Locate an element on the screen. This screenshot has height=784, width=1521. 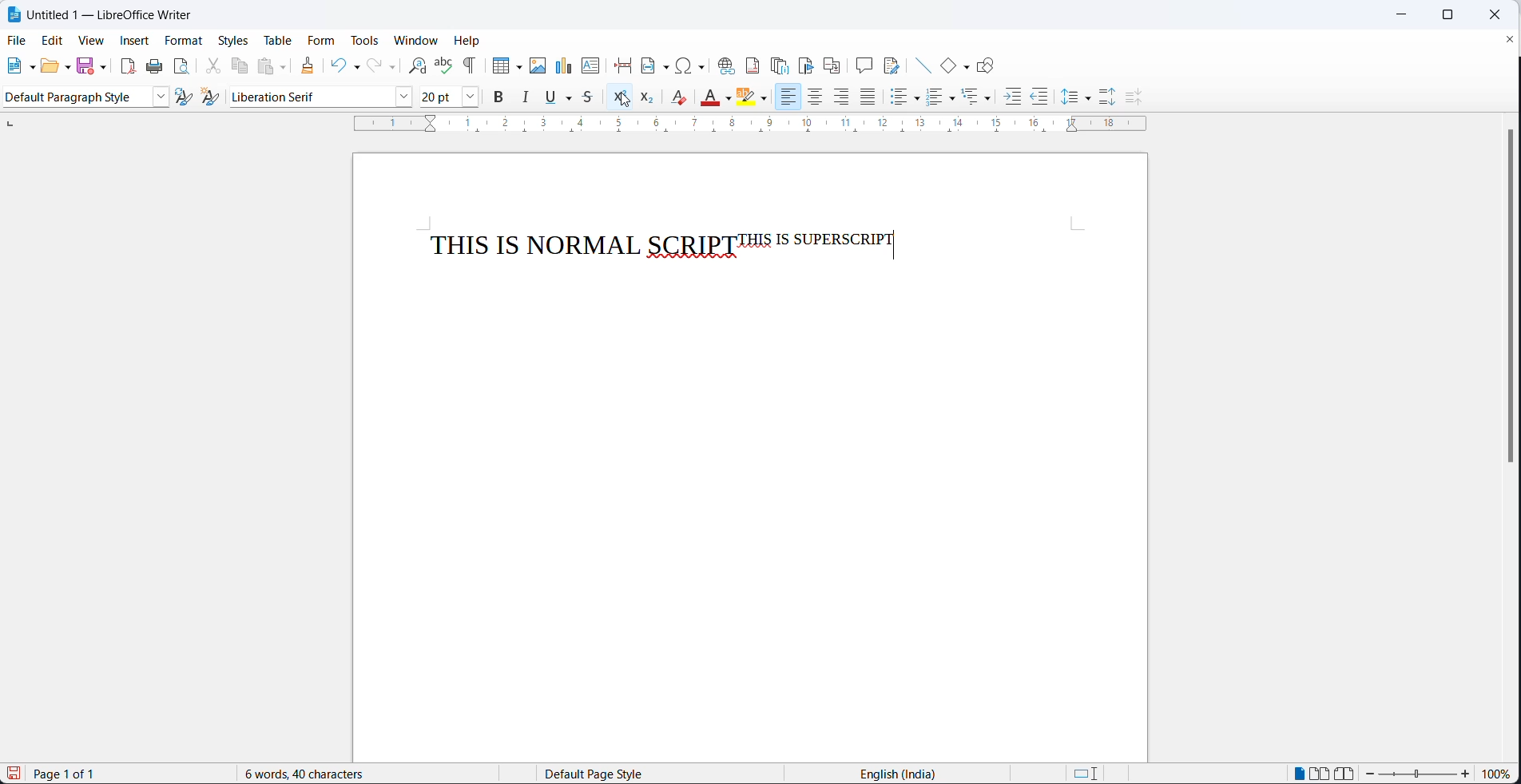
line spacing options is located at coordinates (1088, 99).